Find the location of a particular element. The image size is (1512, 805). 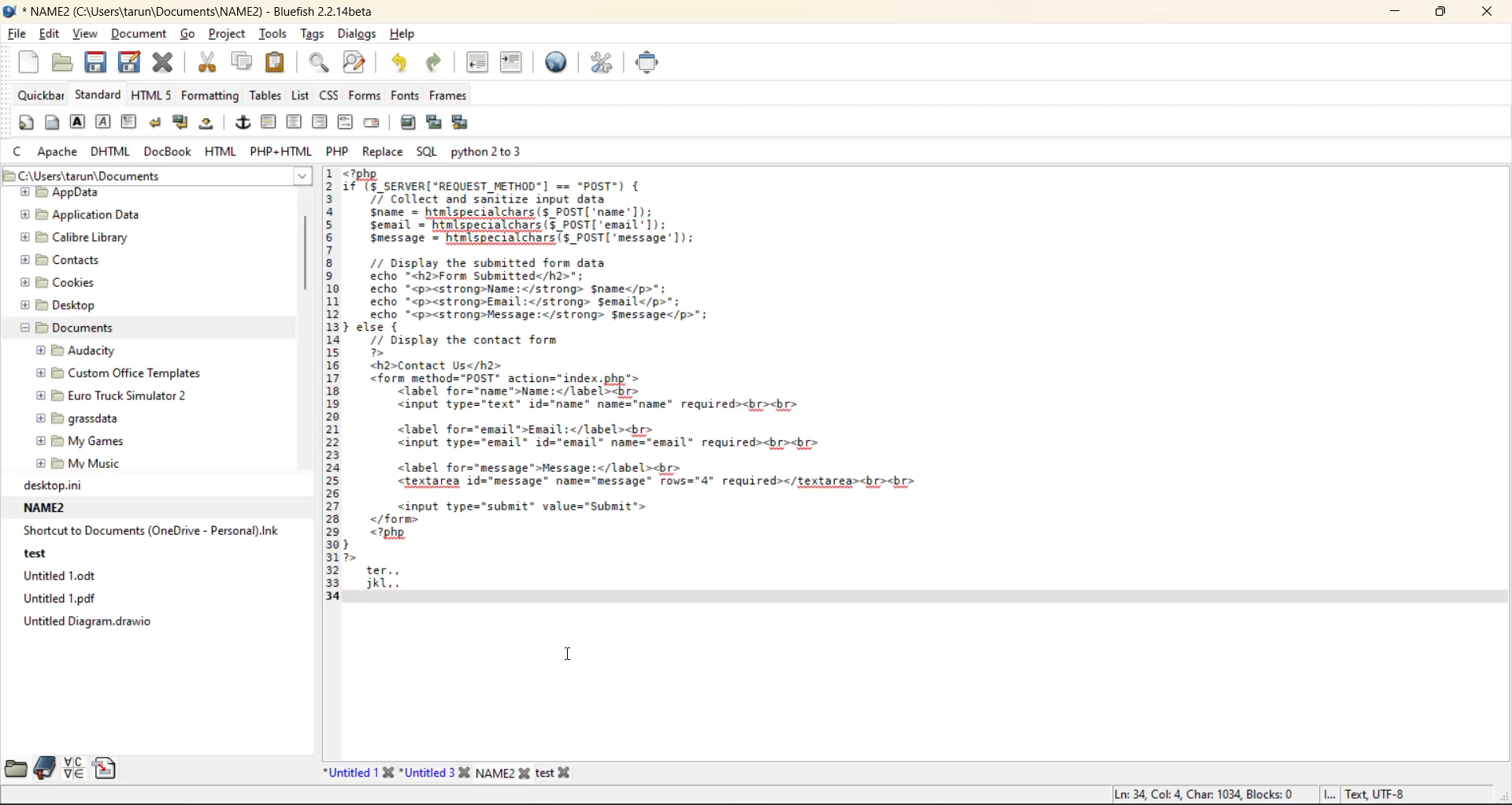

filebrowser is located at coordinates (17, 770).